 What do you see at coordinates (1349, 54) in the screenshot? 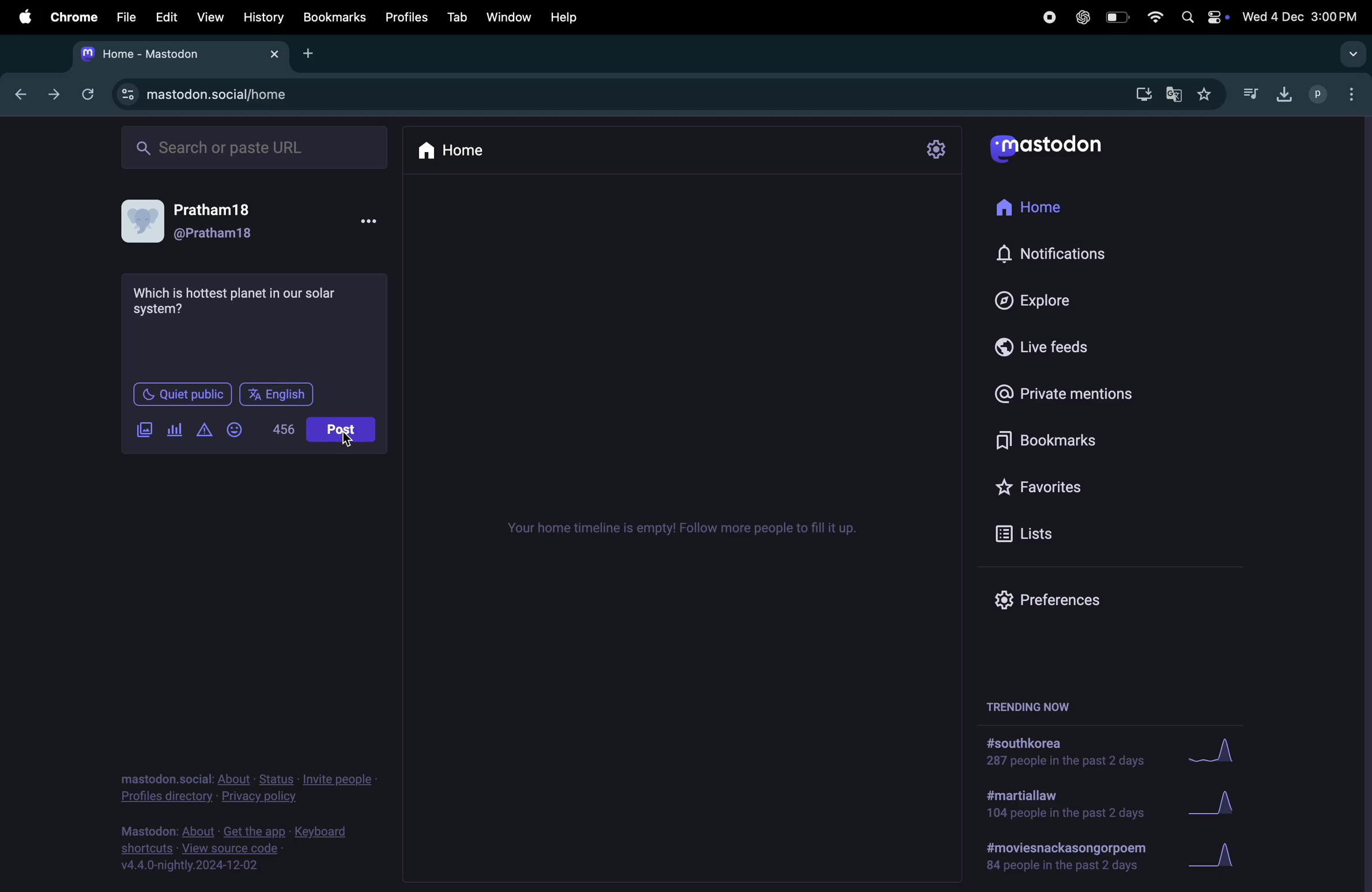
I see `drop down` at bounding box center [1349, 54].